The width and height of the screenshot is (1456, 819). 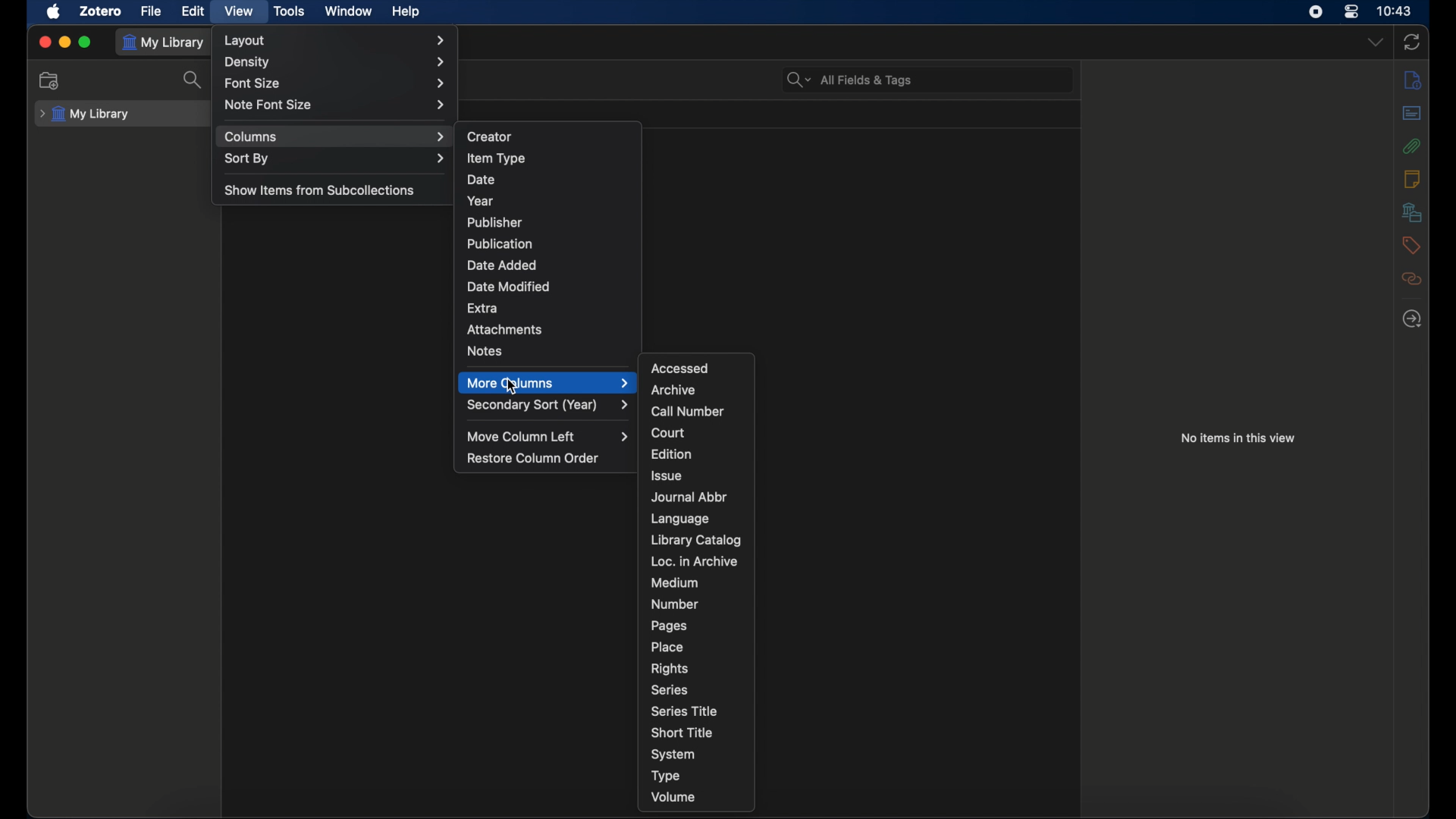 What do you see at coordinates (1411, 278) in the screenshot?
I see `related` at bounding box center [1411, 278].